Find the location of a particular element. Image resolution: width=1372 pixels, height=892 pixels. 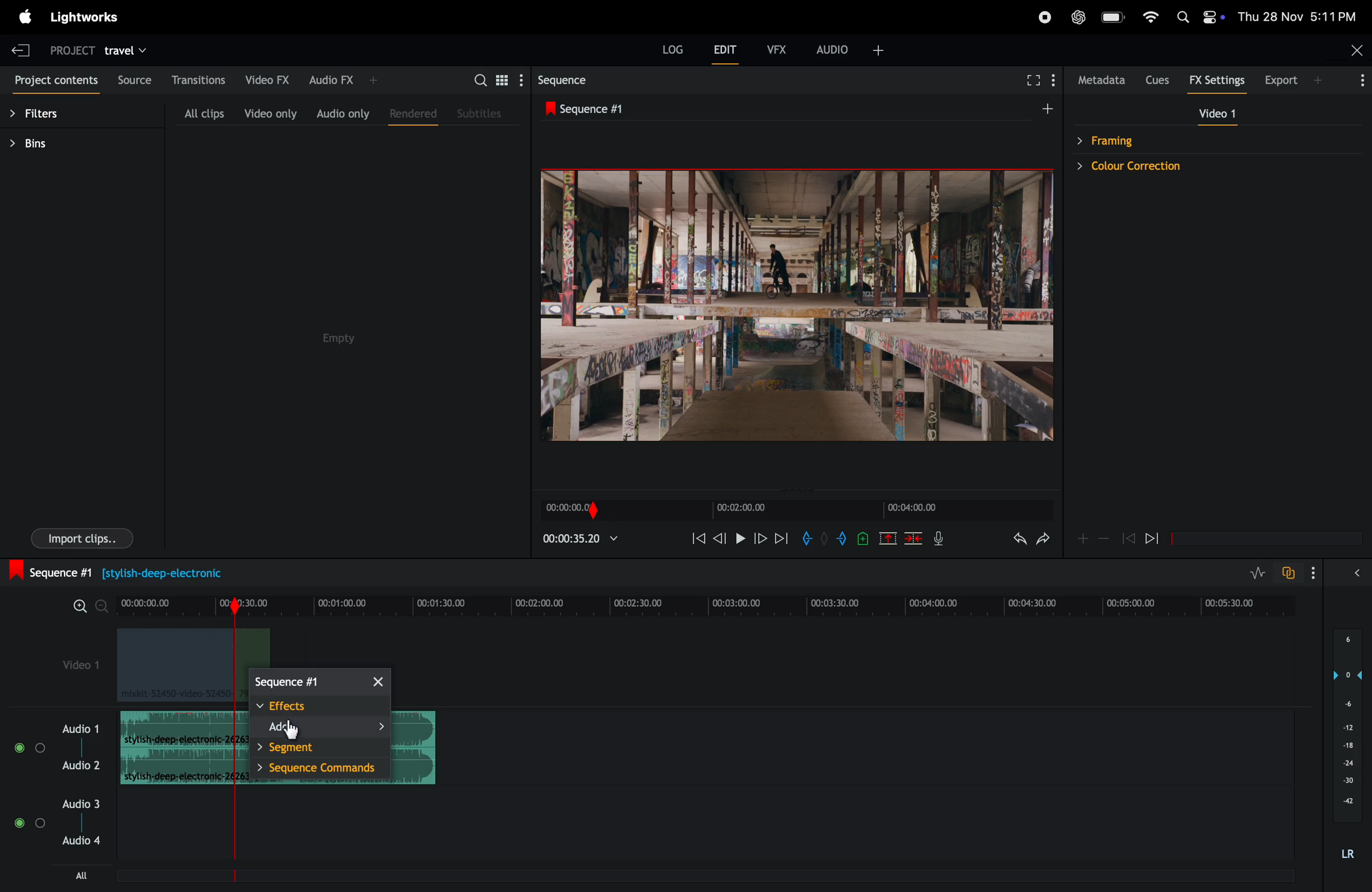

apple widgets is located at coordinates (1180, 16).